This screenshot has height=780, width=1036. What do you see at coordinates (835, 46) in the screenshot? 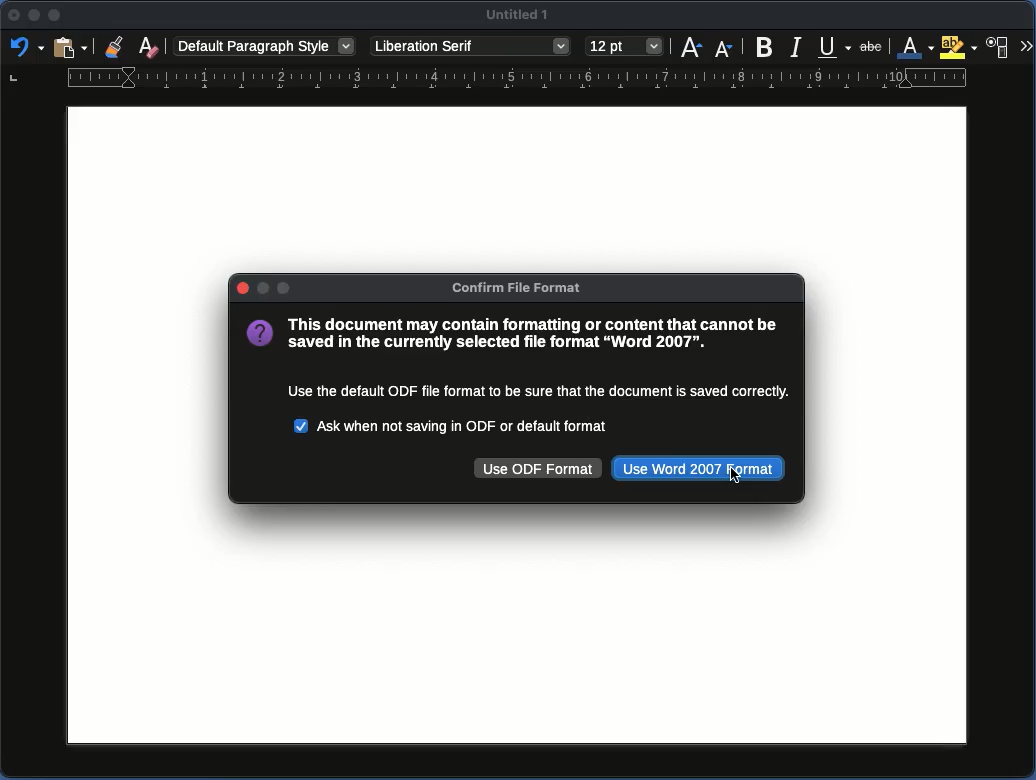
I see `Underline` at bounding box center [835, 46].